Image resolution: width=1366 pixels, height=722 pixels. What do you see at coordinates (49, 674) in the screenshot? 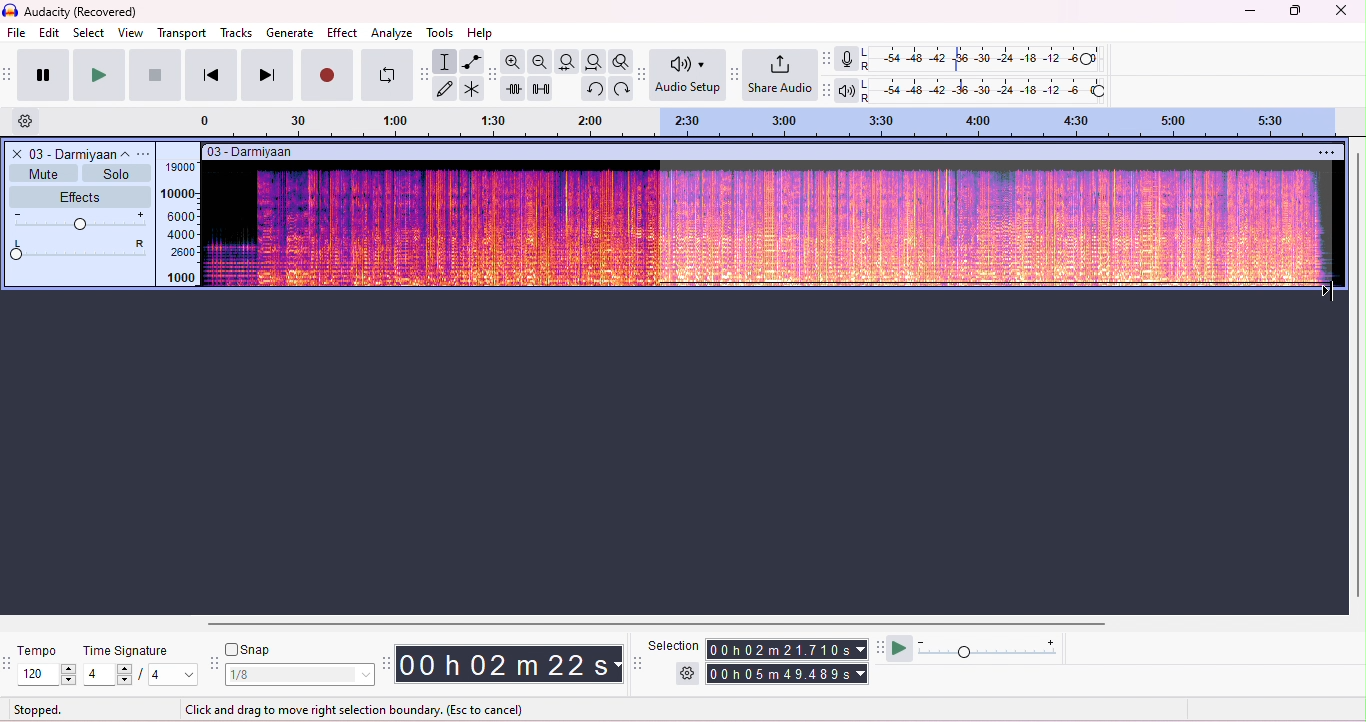
I see `tempo selection` at bounding box center [49, 674].